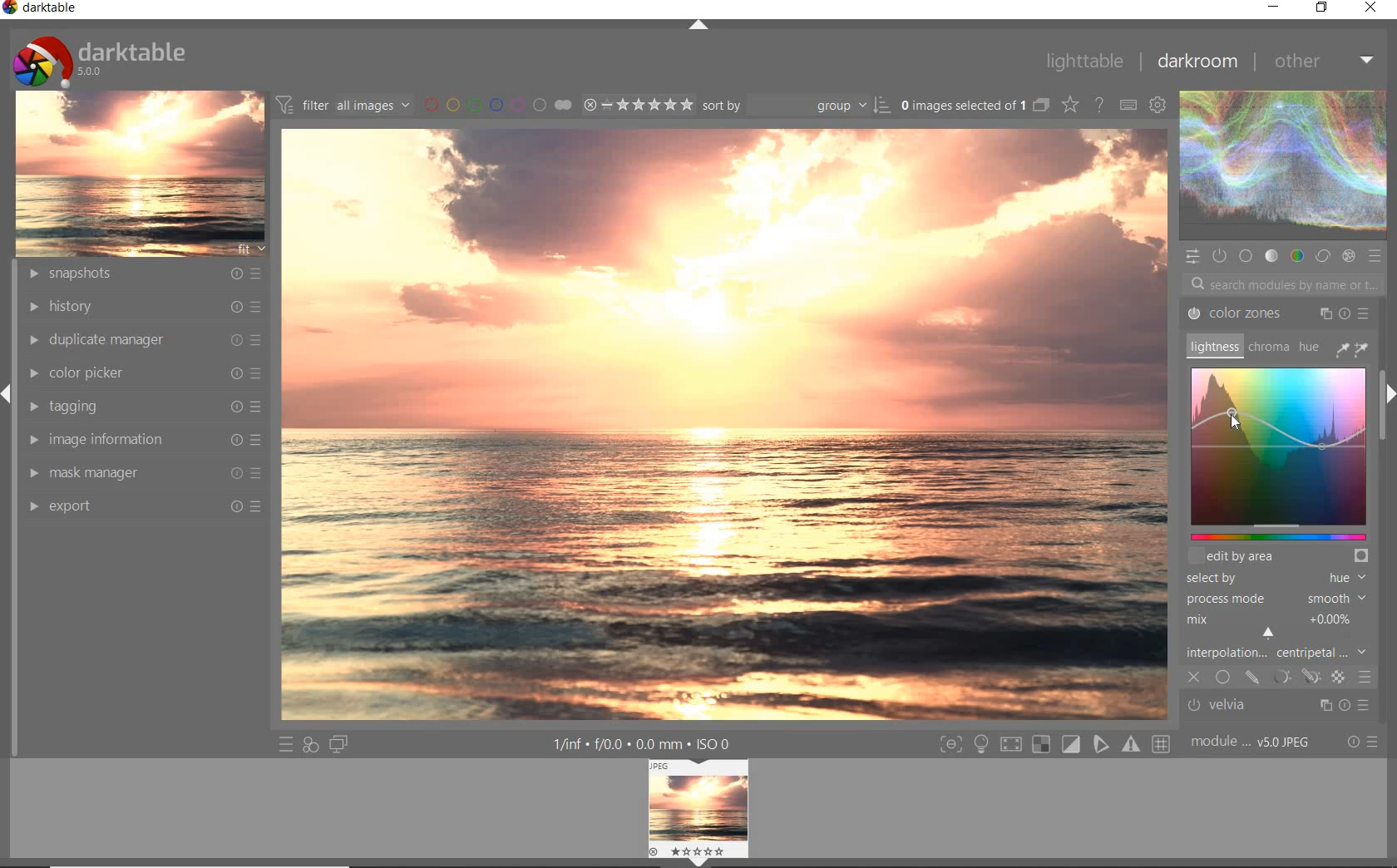  I want to click on show global preference, so click(1159, 104).